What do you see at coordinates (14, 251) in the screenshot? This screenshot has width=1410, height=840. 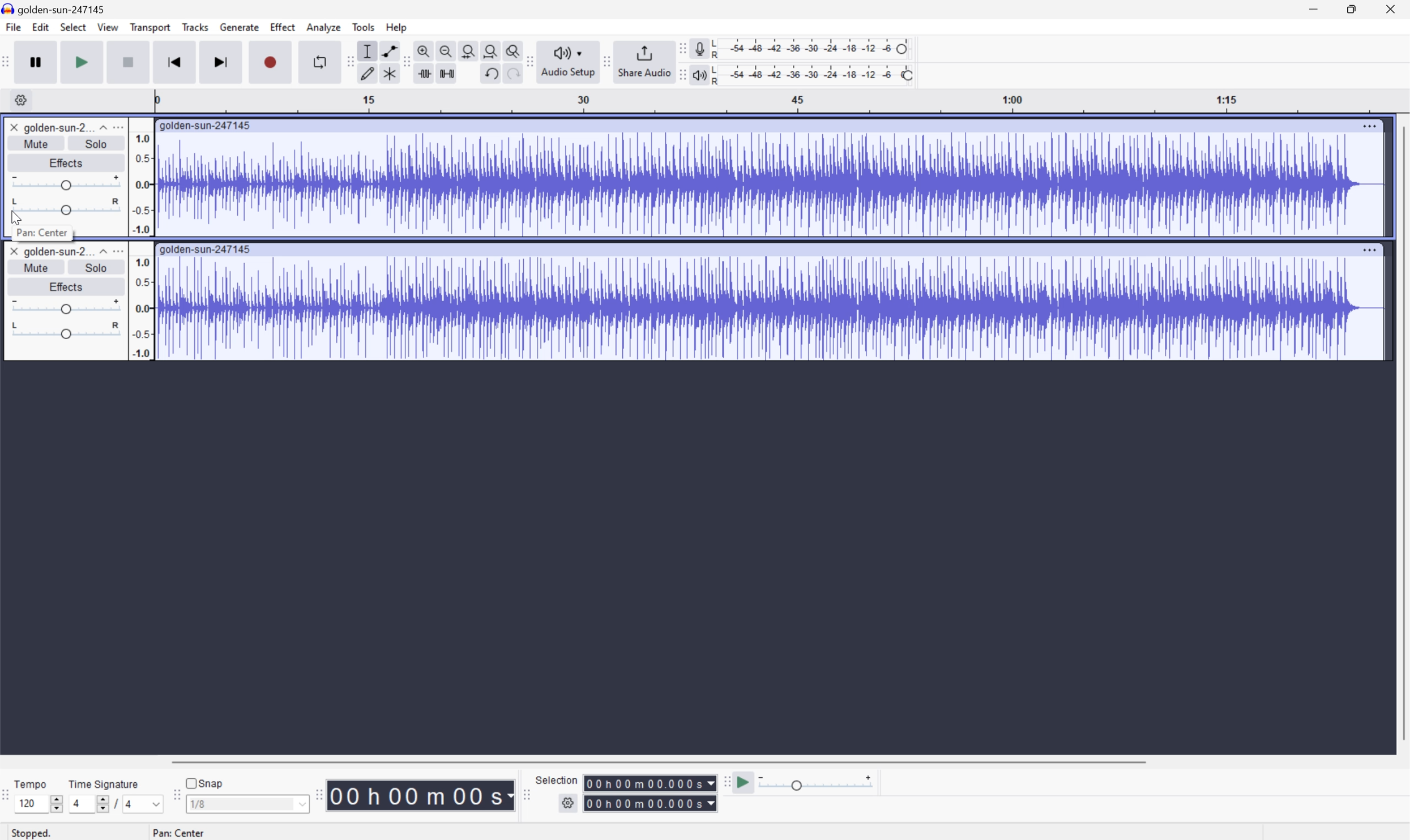 I see `Close` at bounding box center [14, 251].